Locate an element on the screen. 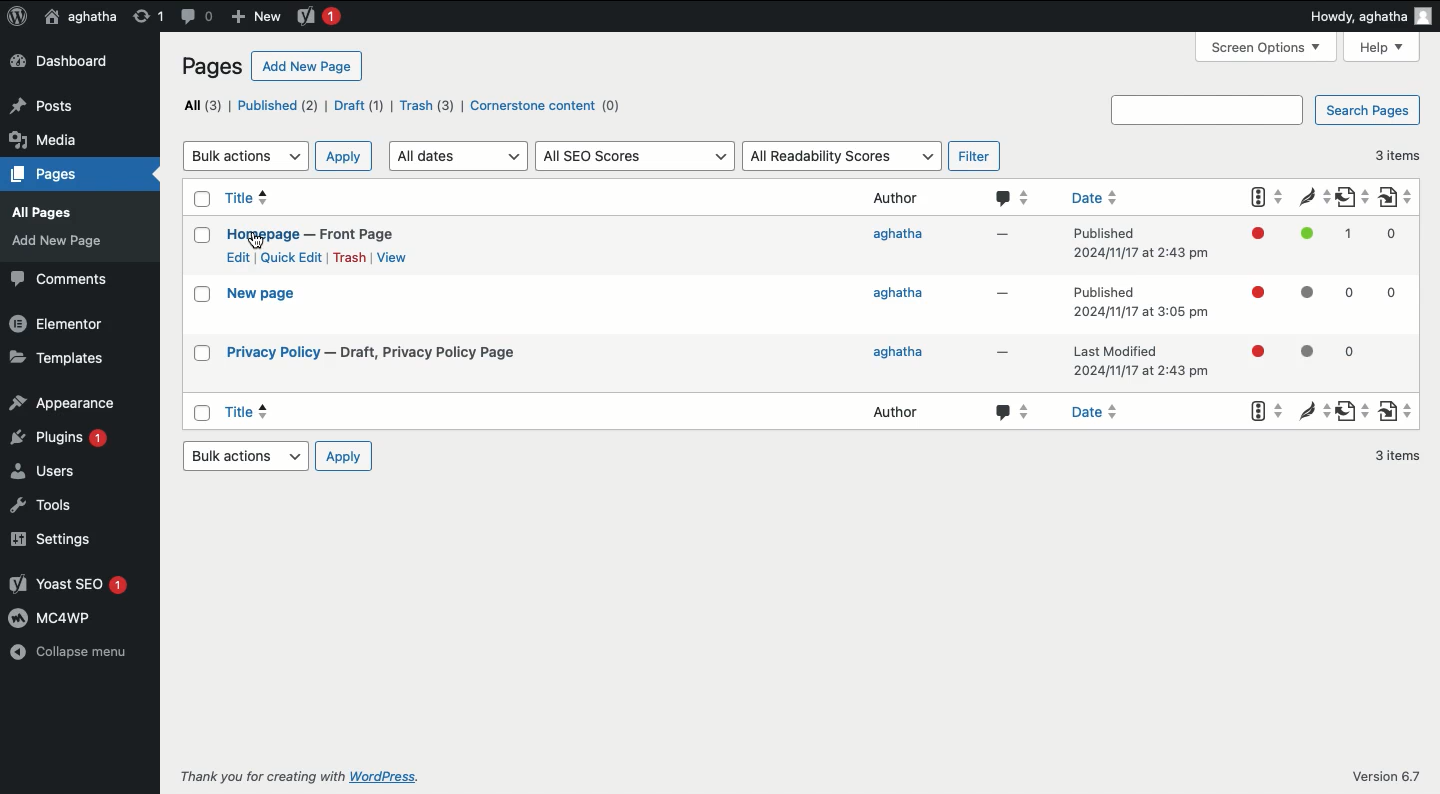 The height and width of the screenshot is (794, 1440). Pages is located at coordinates (46, 243).